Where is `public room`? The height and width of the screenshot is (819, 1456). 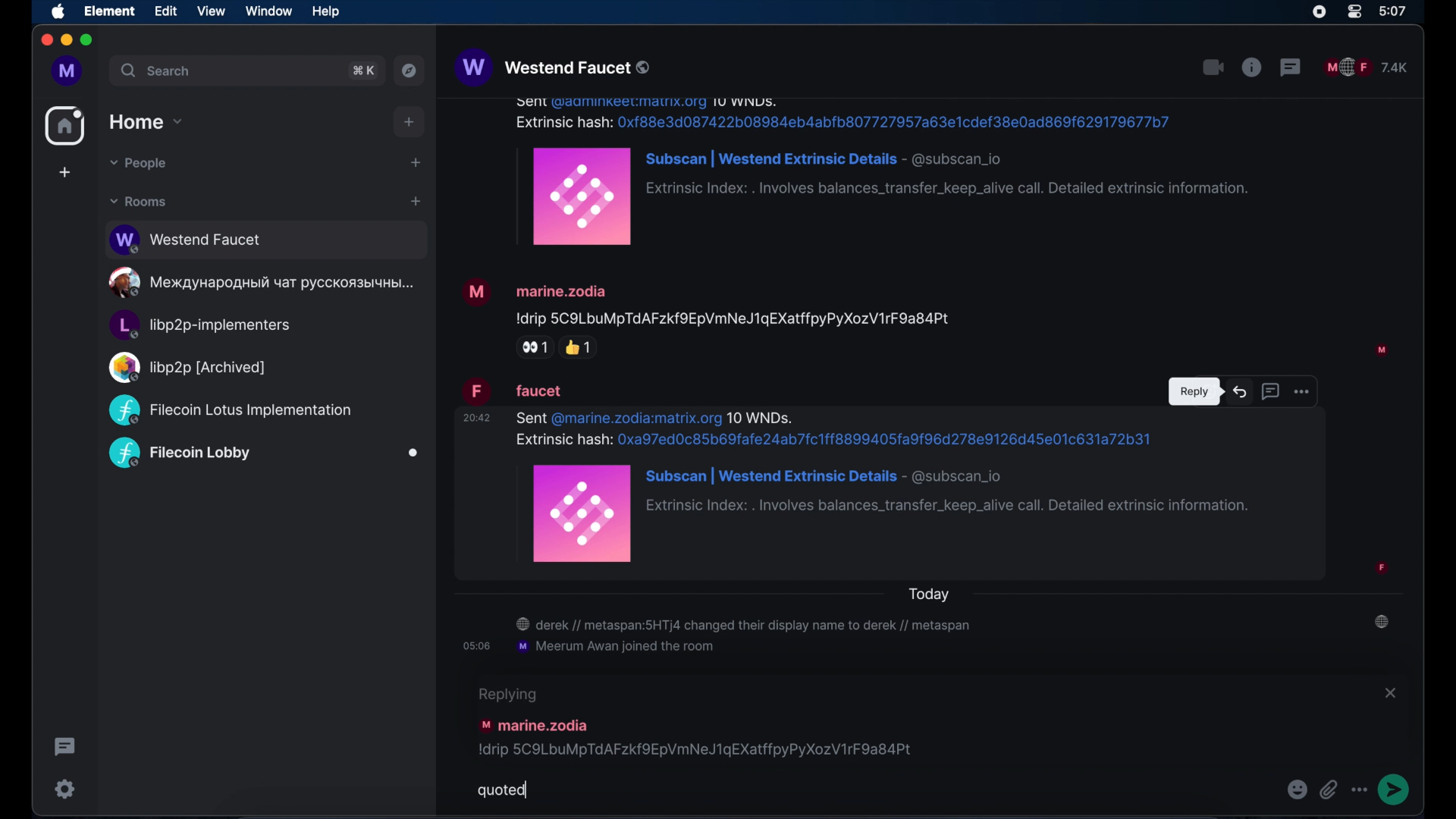 public room is located at coordinates (266, 240).